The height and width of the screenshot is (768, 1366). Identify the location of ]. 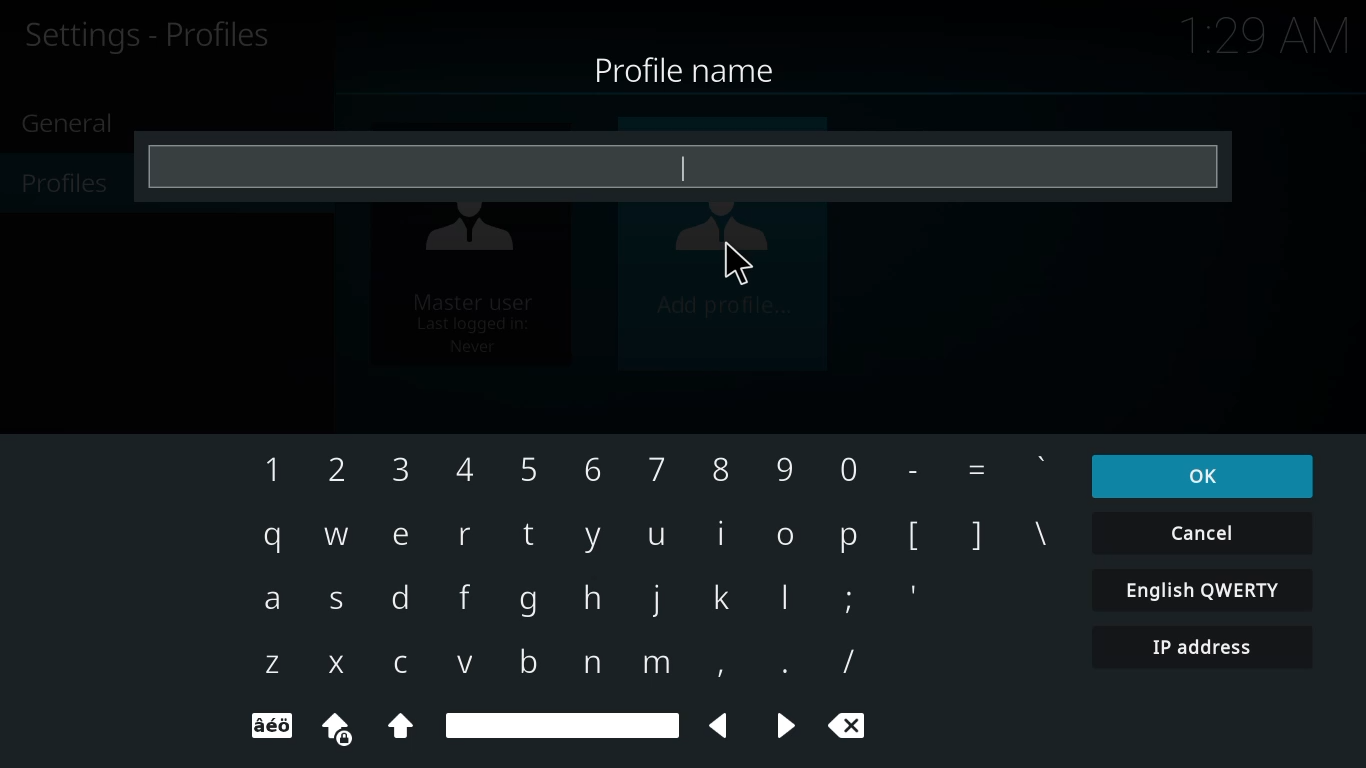
(977, 542).